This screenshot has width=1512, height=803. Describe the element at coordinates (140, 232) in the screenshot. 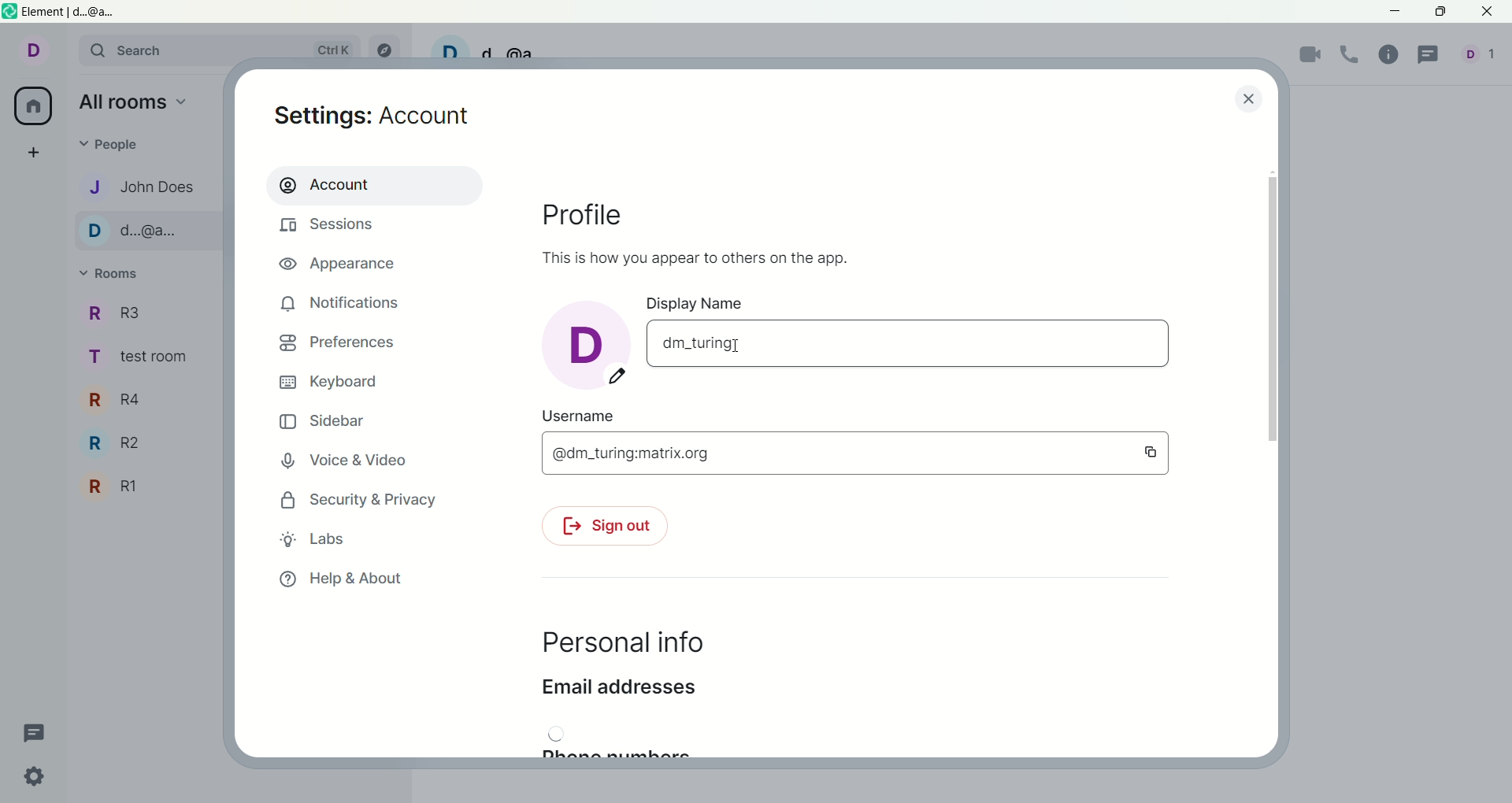

I see `D..@a..` at that location.